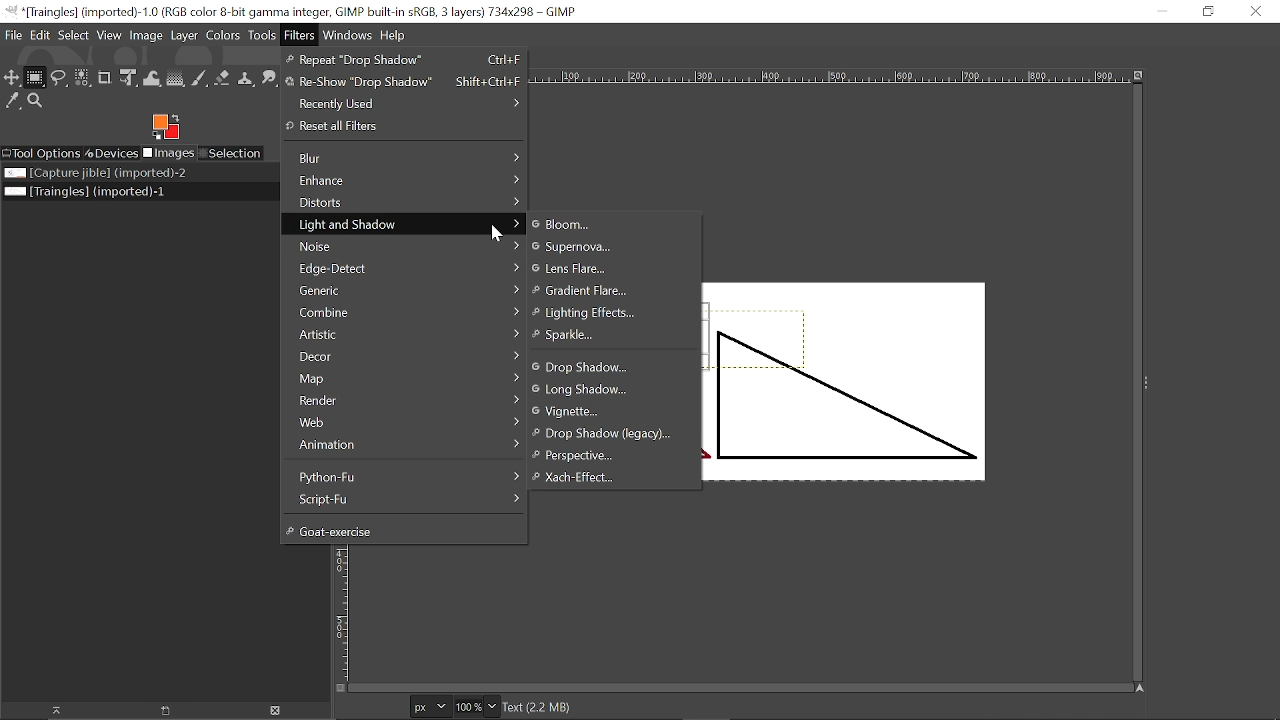 The image size is (1280, 720). What do you see at coordinates (247, 79) in the screenshot?
I see `Clone tool` at bounding box center [247, 79].